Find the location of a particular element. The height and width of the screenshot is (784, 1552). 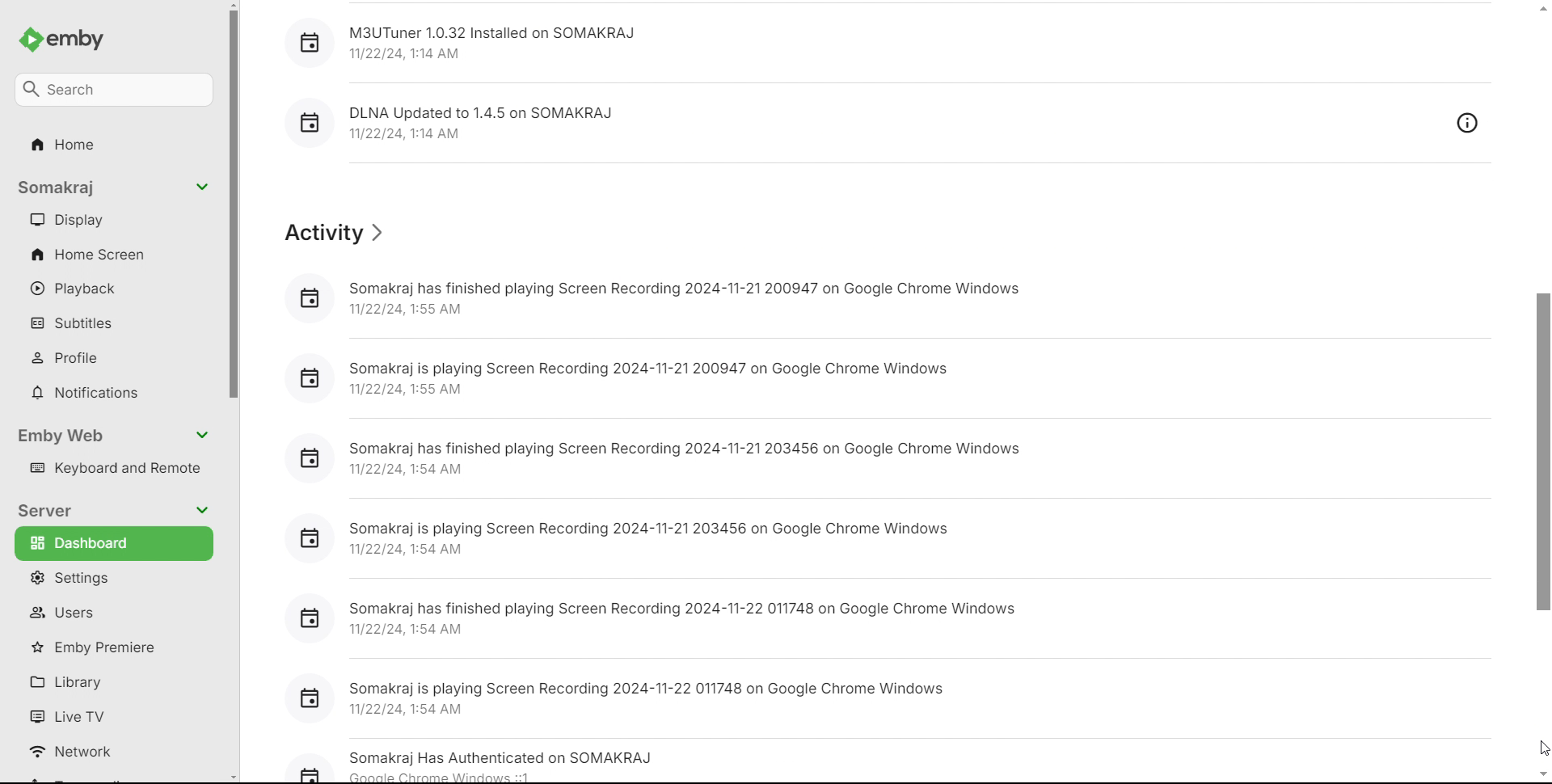

home is located at coordinates (114, 147).